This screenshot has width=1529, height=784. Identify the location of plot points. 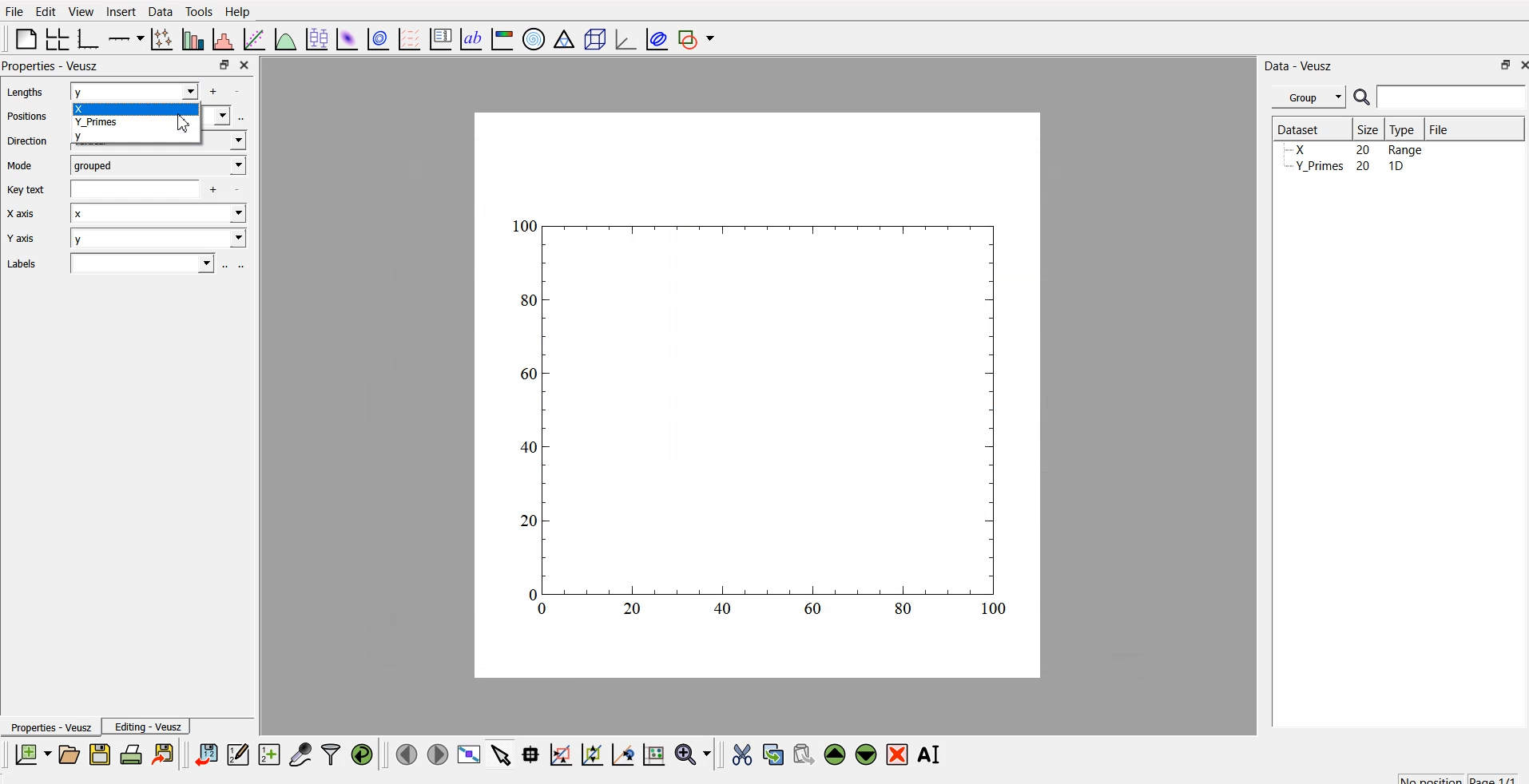
(158, 38).